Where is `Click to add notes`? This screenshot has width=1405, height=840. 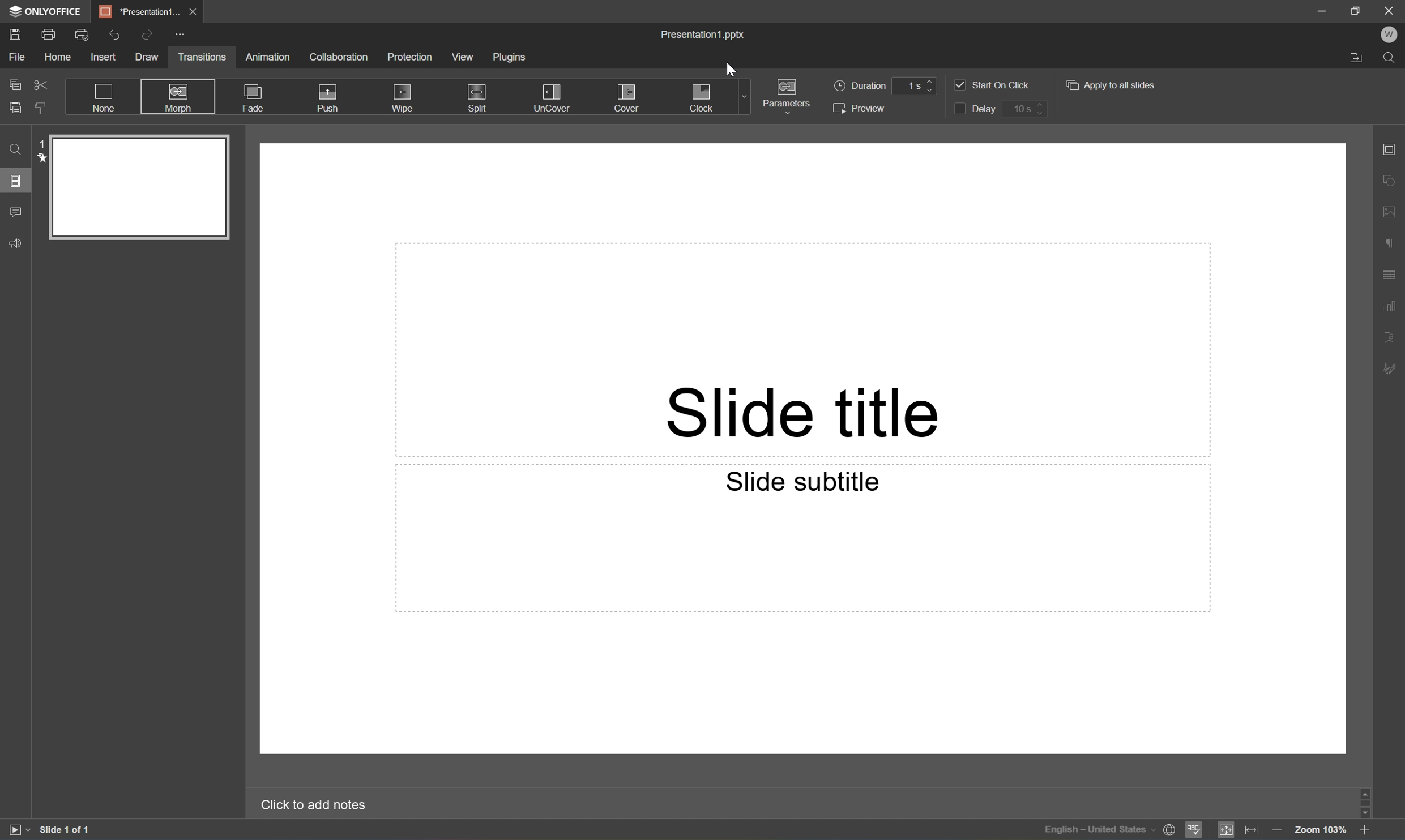 Click to add notes is located at coordinates (315, 804).